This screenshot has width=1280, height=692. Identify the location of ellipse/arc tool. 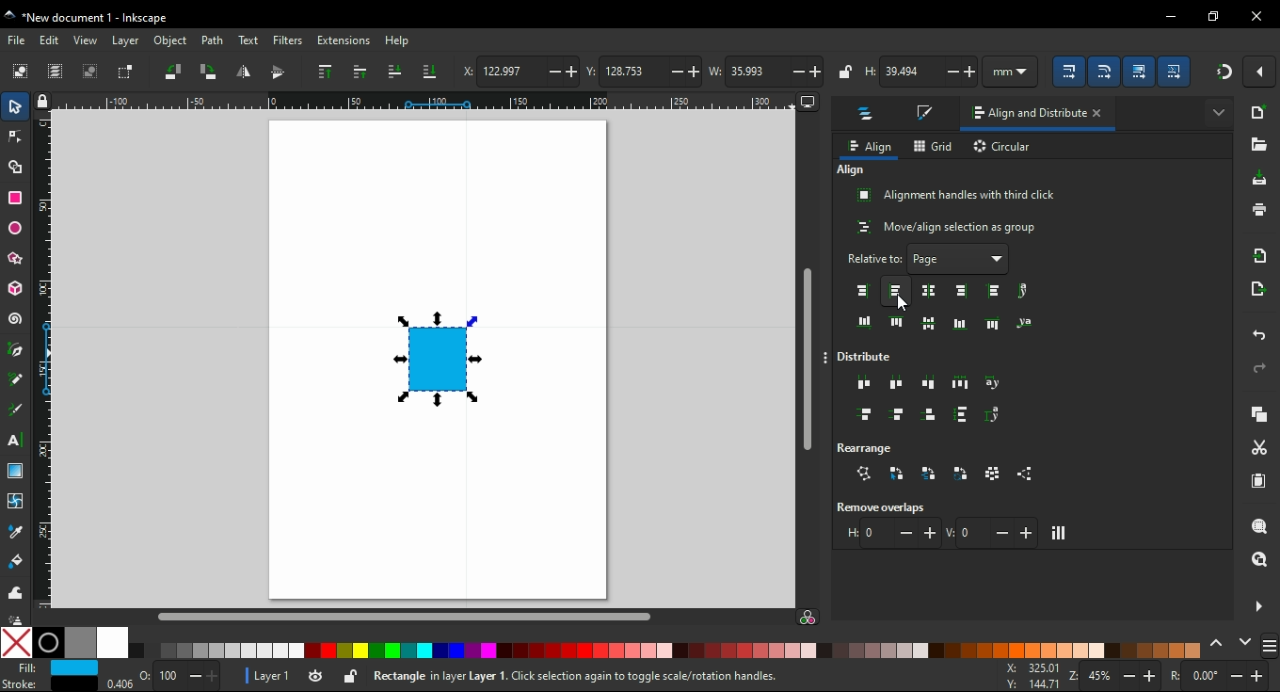
(16, 229).